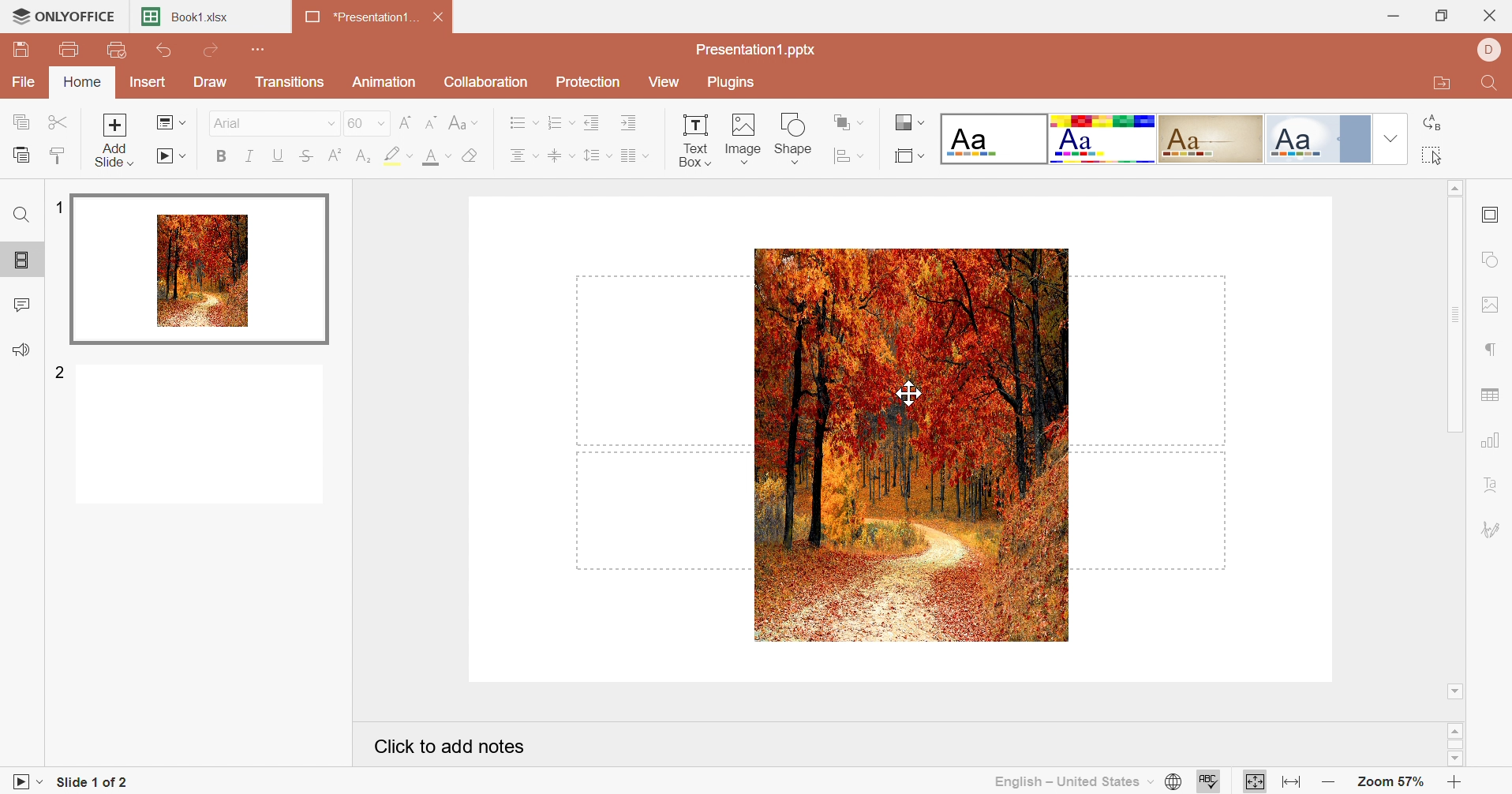 The height and width of the screenshot is (794, 1512). I want to click on Numbering, so click(560, 122).